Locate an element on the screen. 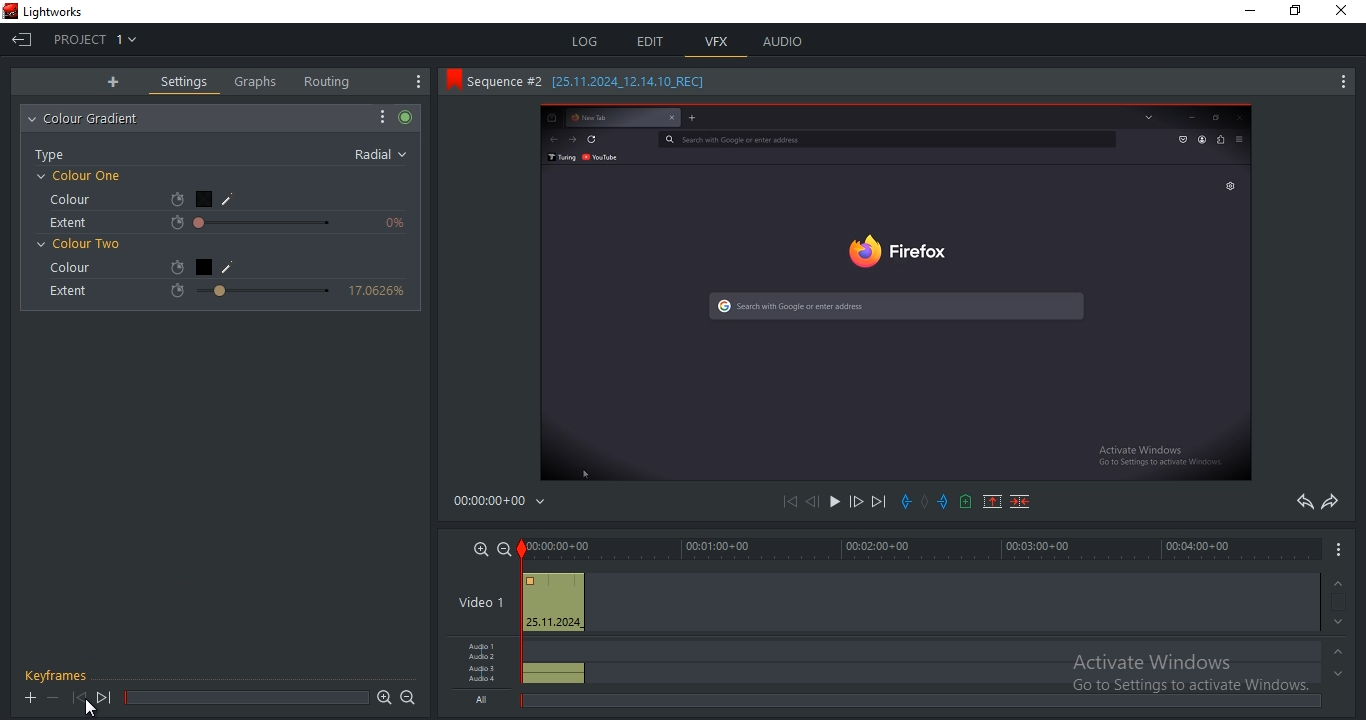 Image resolution: width=1366 pixels, height=720 pixels. type is located at coordinates (56, 156).